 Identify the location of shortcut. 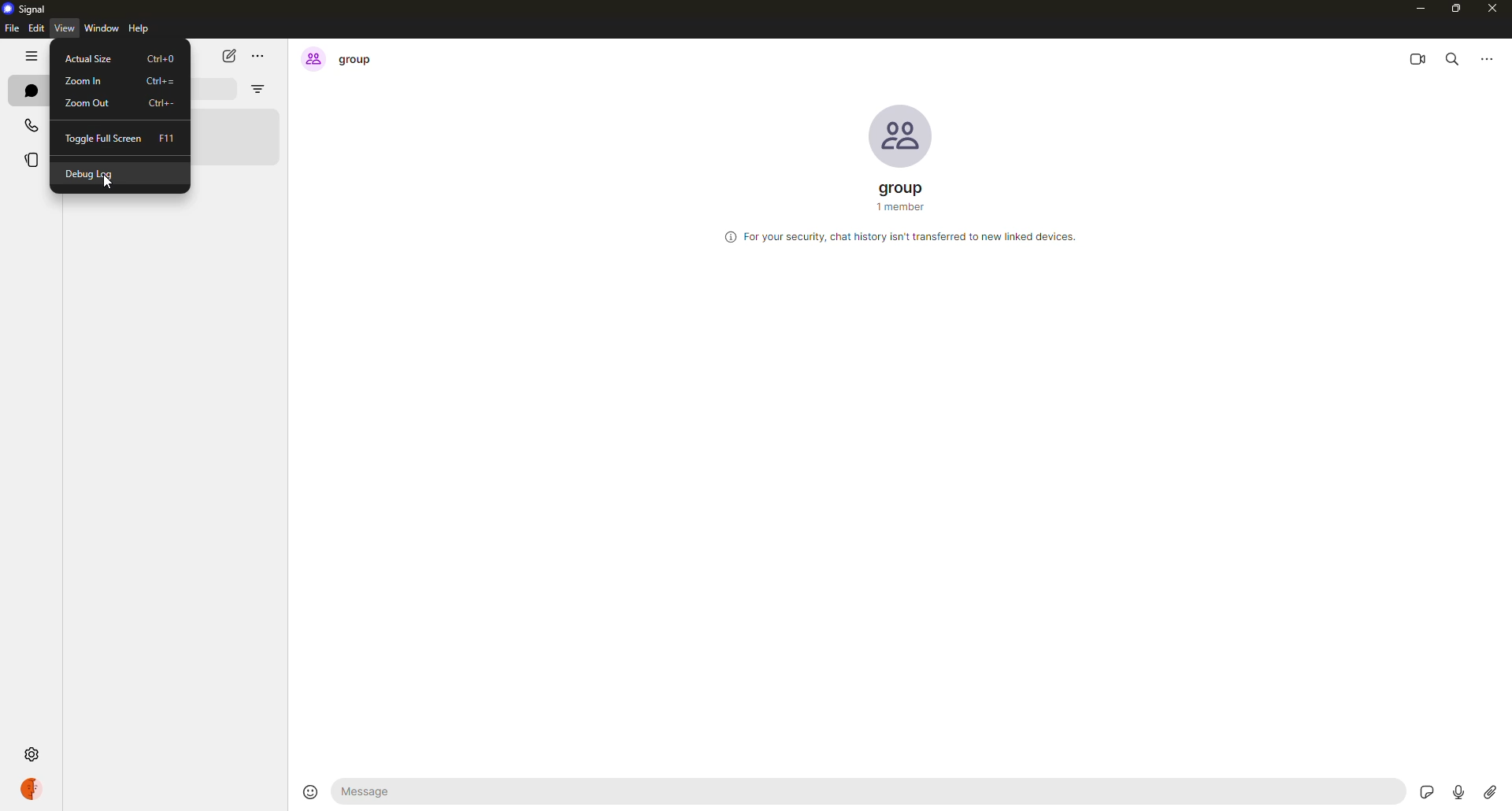
(161, 58).